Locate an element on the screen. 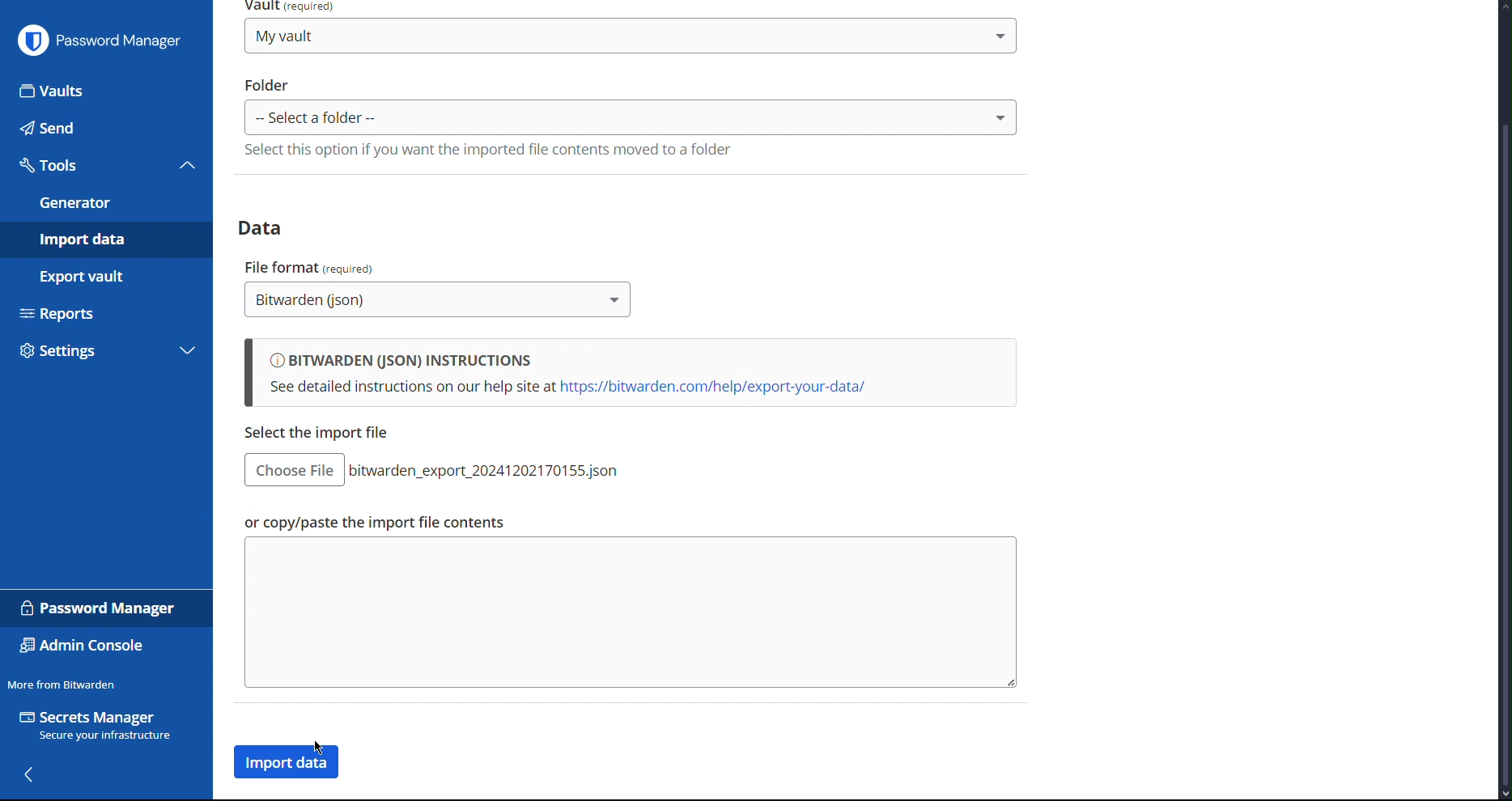 This screenshot has width=1512, height=801. back is located at coordinates (28, 774).